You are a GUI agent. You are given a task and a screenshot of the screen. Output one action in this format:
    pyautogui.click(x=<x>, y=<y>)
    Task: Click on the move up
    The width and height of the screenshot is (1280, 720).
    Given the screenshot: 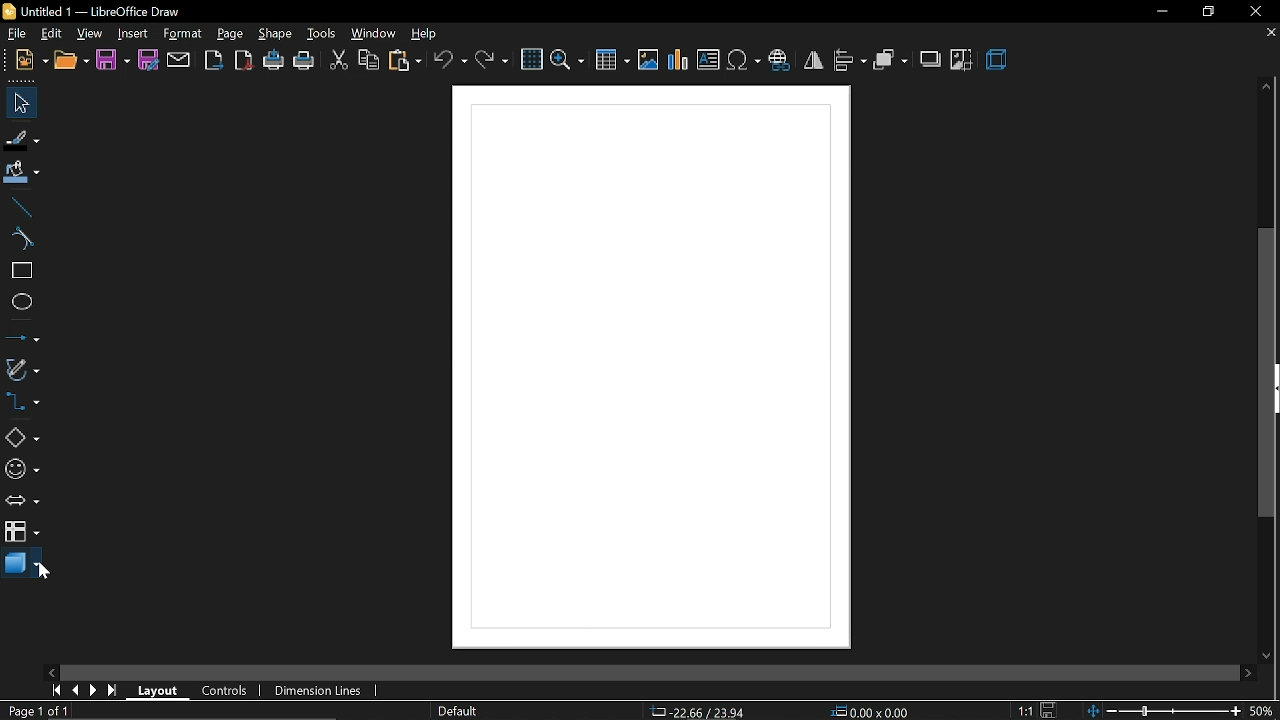 What is the action you would take?
    pyautogui.click(x=1268, y=86)
    